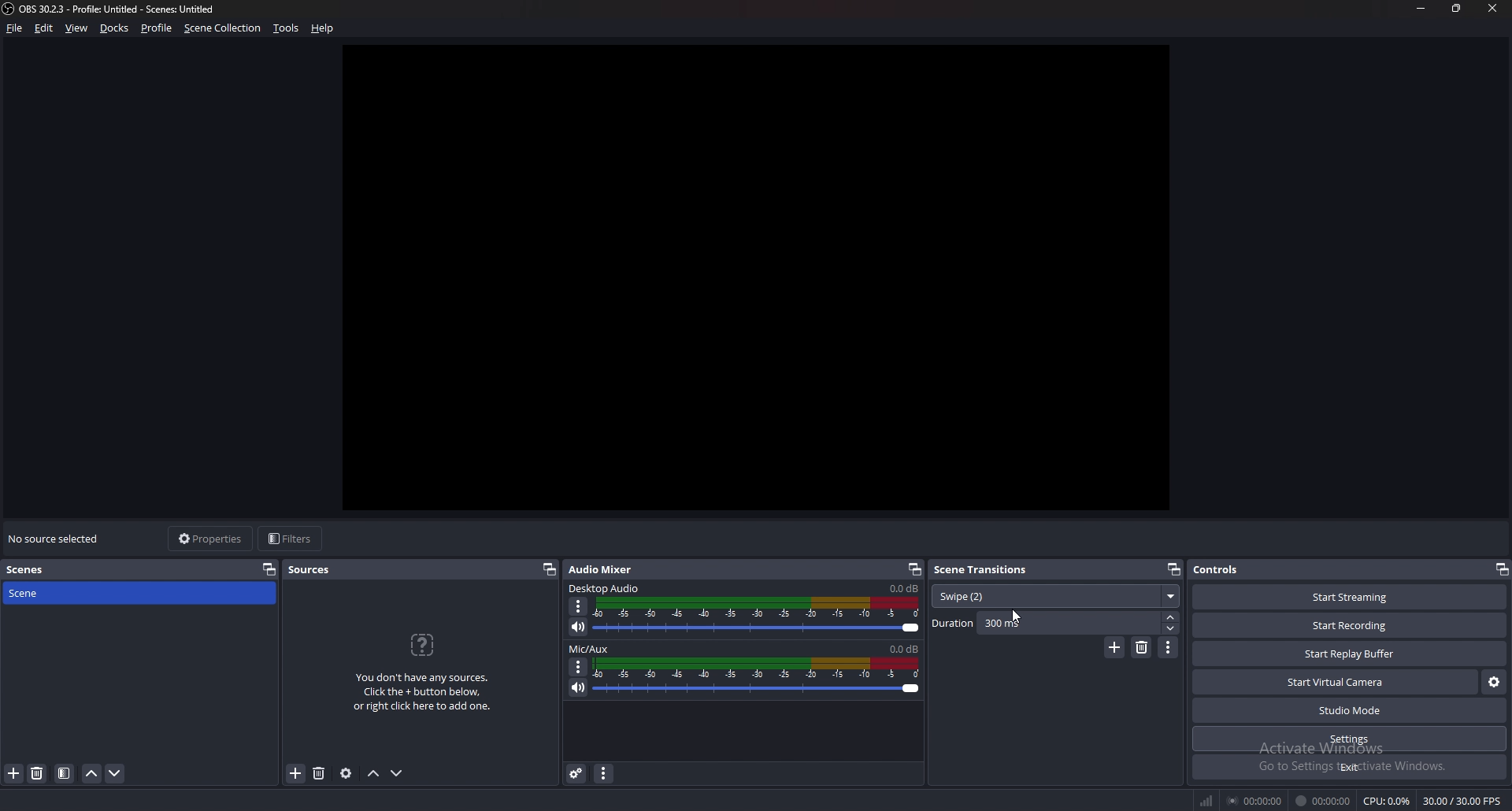 This screenshot has width=1512, height=811. I want to click on move scene up, so click(93, 773).